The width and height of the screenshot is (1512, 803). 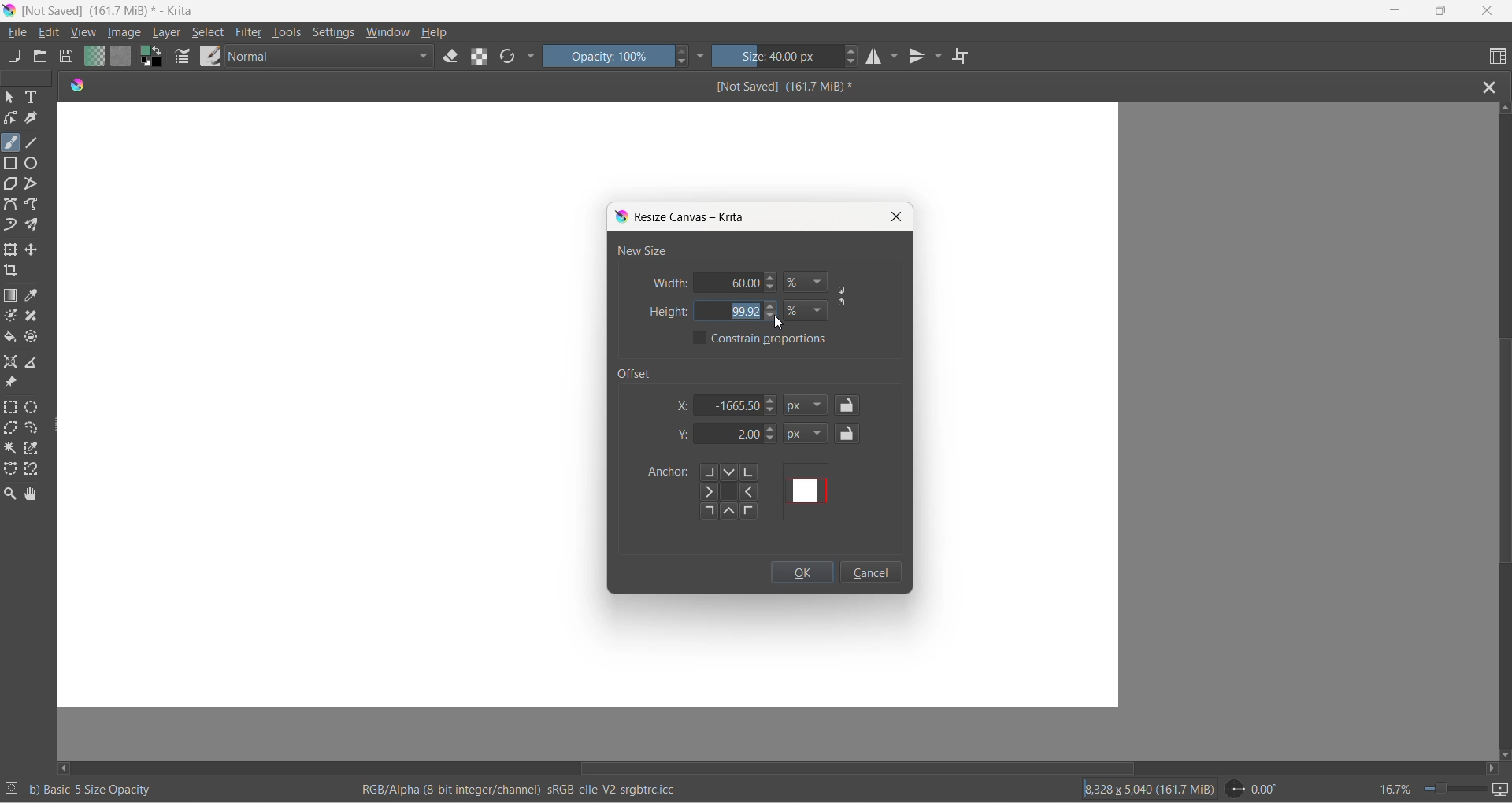 What do you see at coordinates (13, 206) in the screenshot?
I see `Bezier curve tool ` at bounding box center [13, 206].